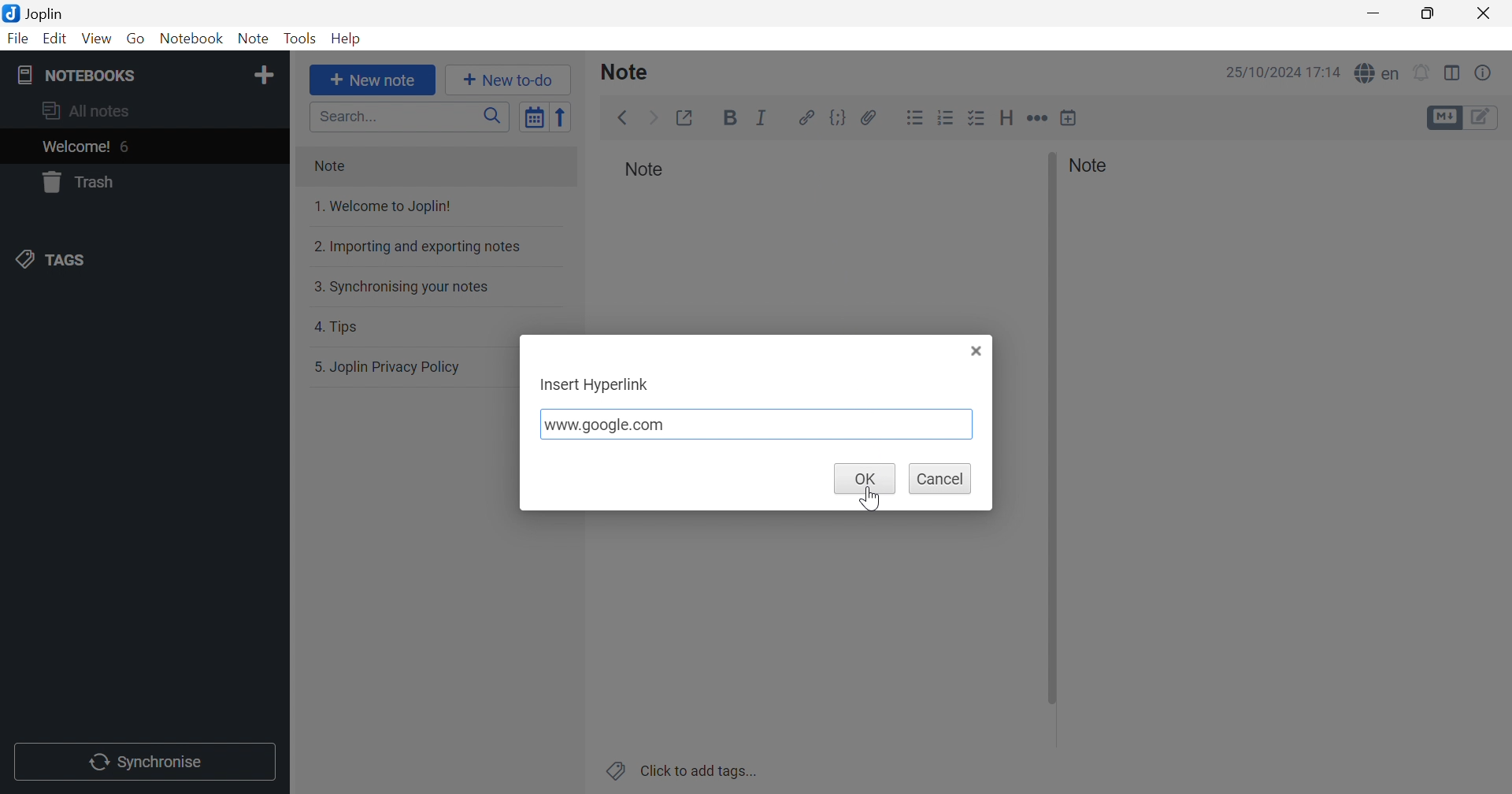  I want to click on Welcome! 6, so click(143, 147).